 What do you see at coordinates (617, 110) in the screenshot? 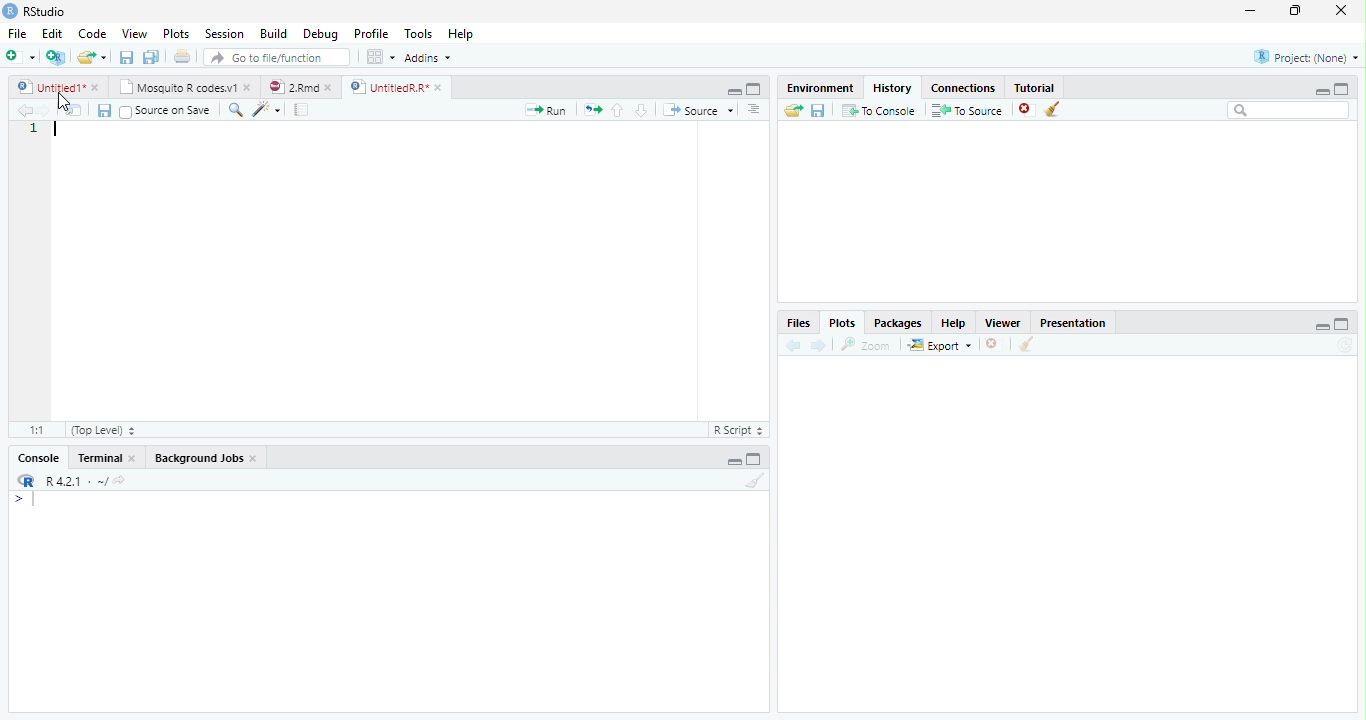
I see `Go to previous section/chunk` at bounding box center [617, 110].